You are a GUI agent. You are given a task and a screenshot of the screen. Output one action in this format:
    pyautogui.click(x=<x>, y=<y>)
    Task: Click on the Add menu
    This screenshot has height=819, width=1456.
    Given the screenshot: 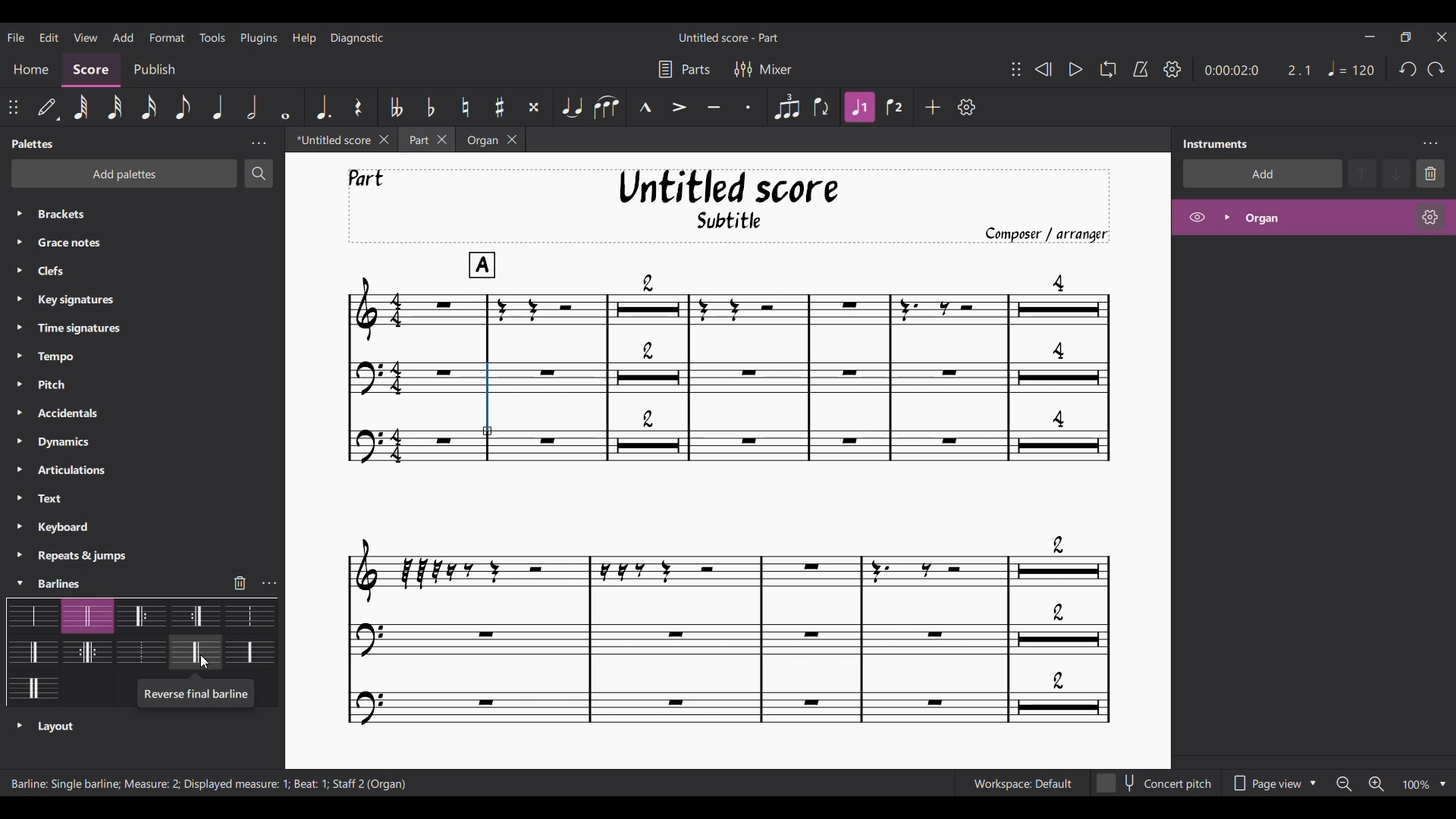 What is the action you would take?
    pyautogui.click(x=123, y=36)
    